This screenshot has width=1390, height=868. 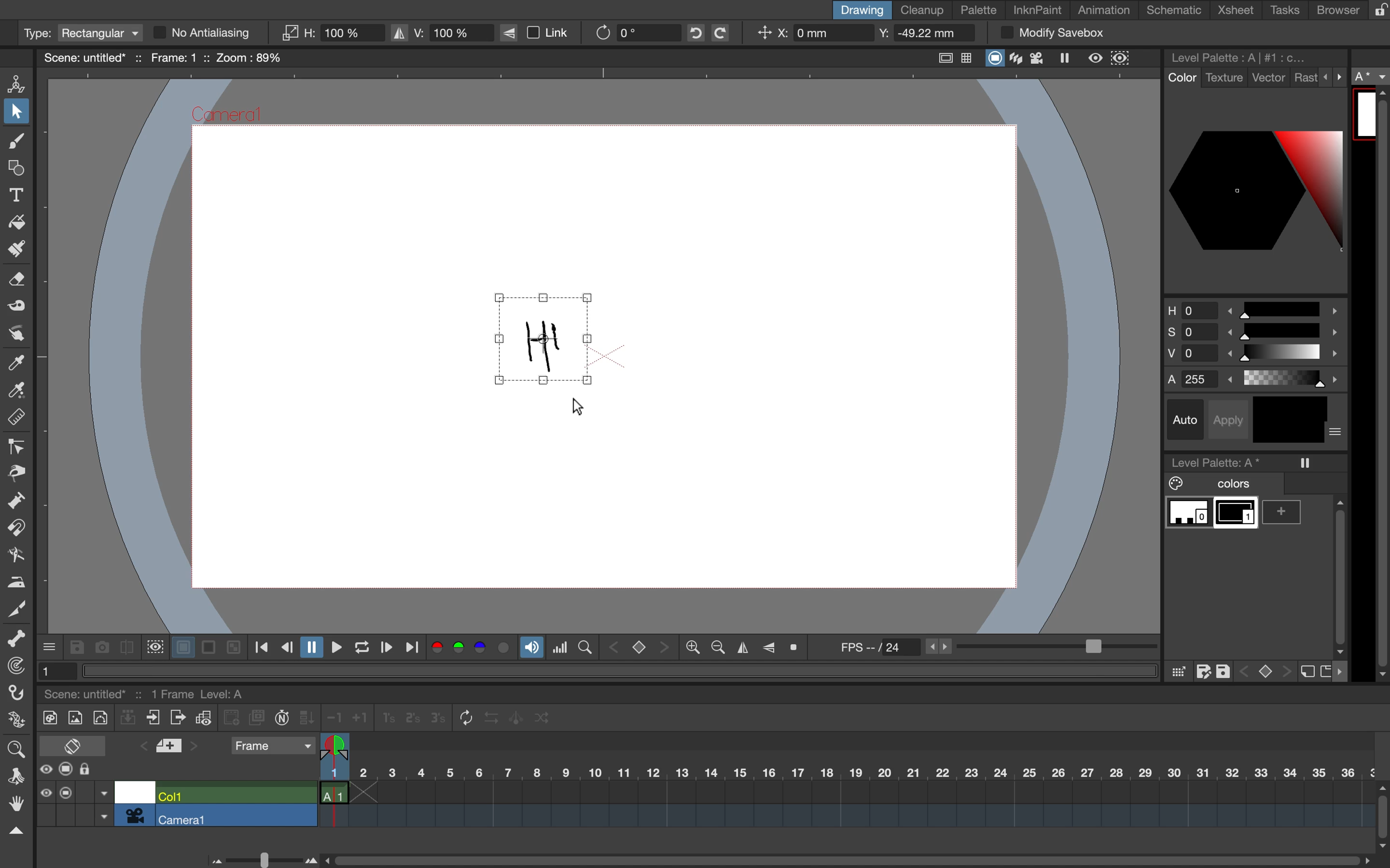 I want to click on sub camera preview, so click(x=1121, y=59).